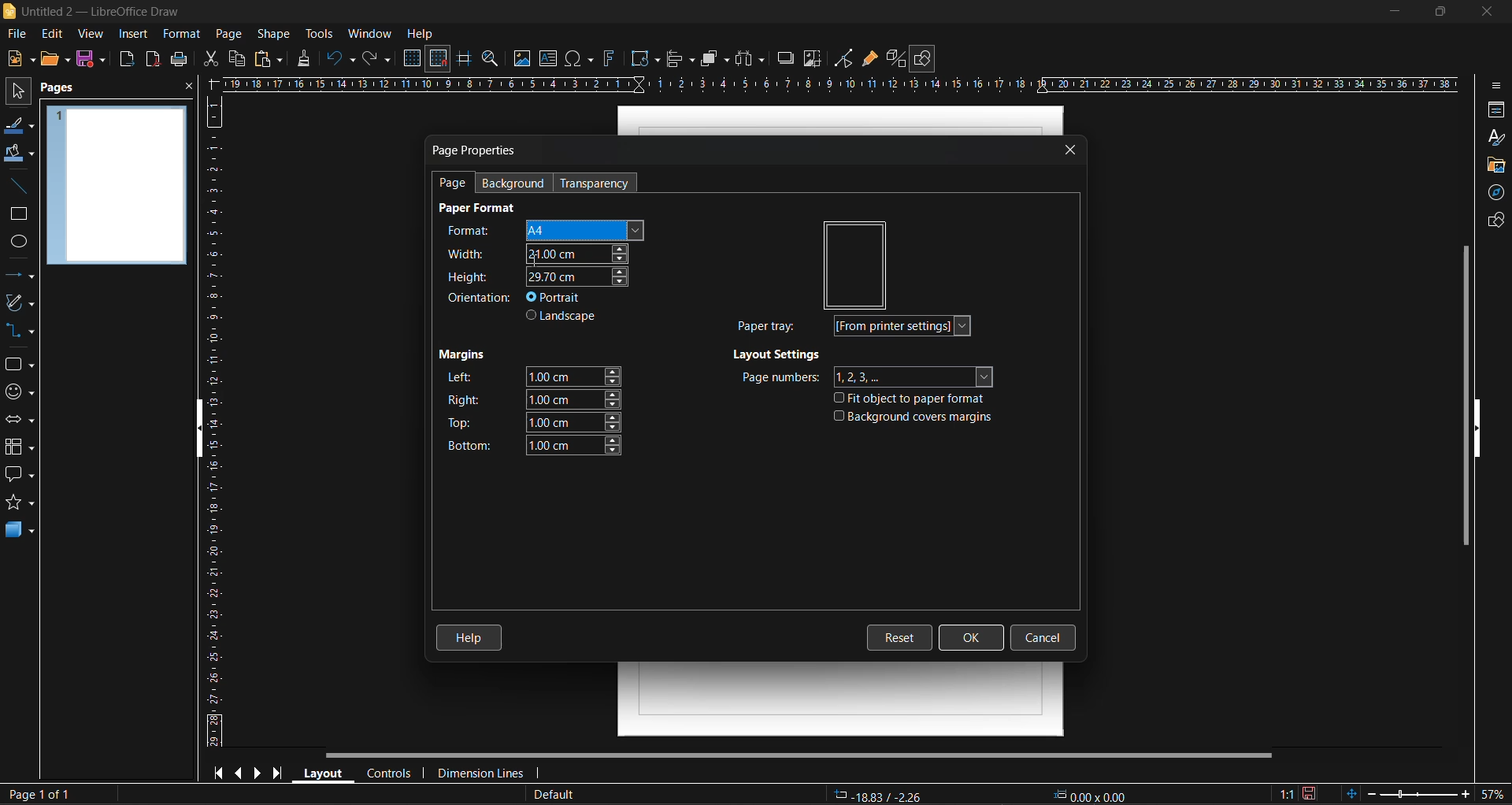 The width and height of the screenshot is (1512, 805). What do you see at coordinates (325, 773) in the screenshot?
I see `layout` at bounding box center [325, 773].